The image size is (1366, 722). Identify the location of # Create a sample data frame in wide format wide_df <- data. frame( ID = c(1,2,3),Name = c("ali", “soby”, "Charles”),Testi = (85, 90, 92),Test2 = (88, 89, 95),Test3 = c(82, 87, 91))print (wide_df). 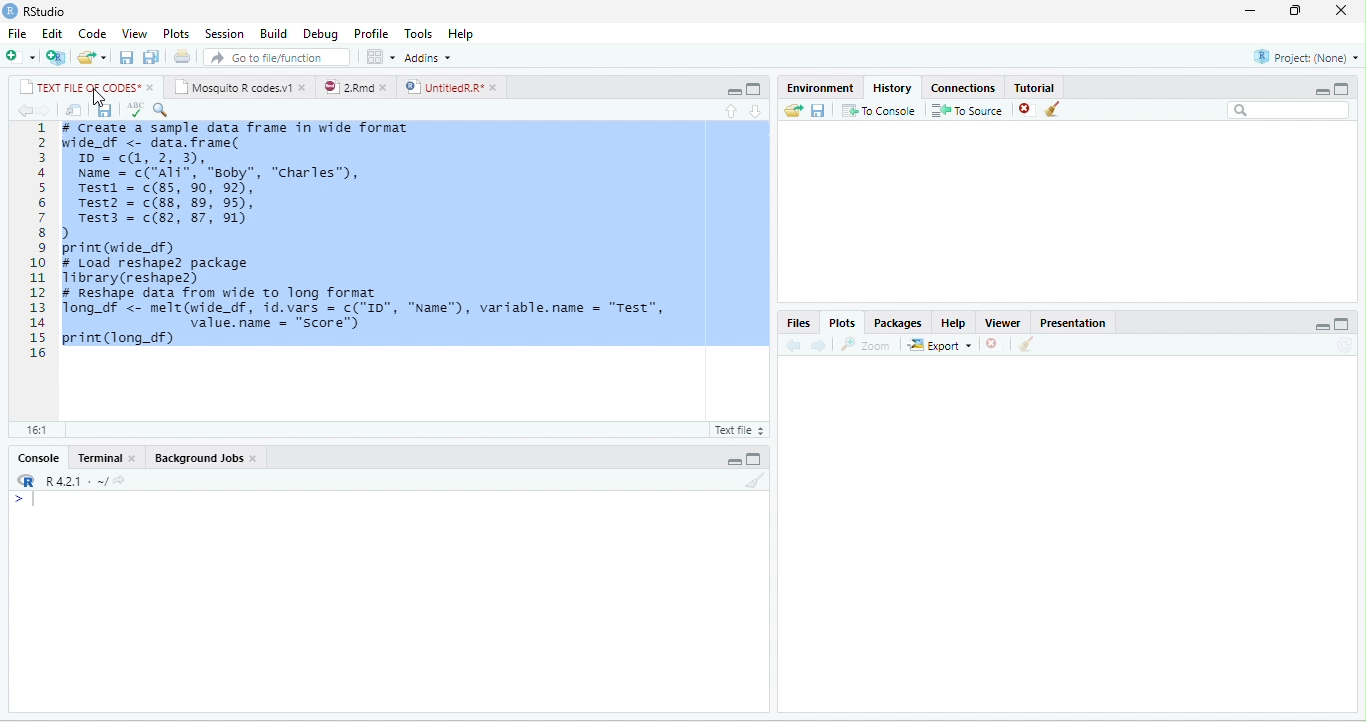
(235, 188).